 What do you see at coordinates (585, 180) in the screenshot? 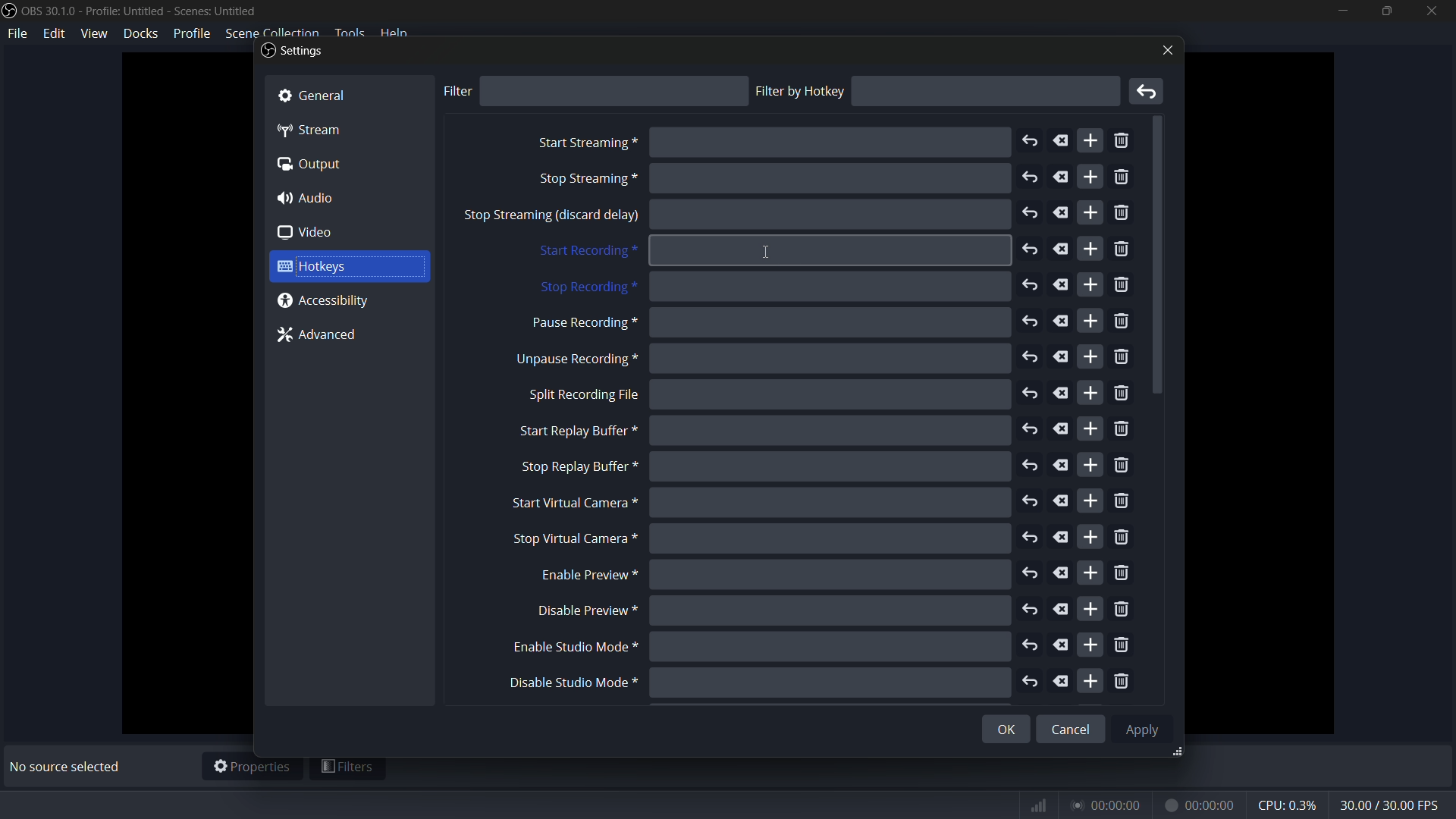
I see `stop screaming` at bounding box center [585, 180].